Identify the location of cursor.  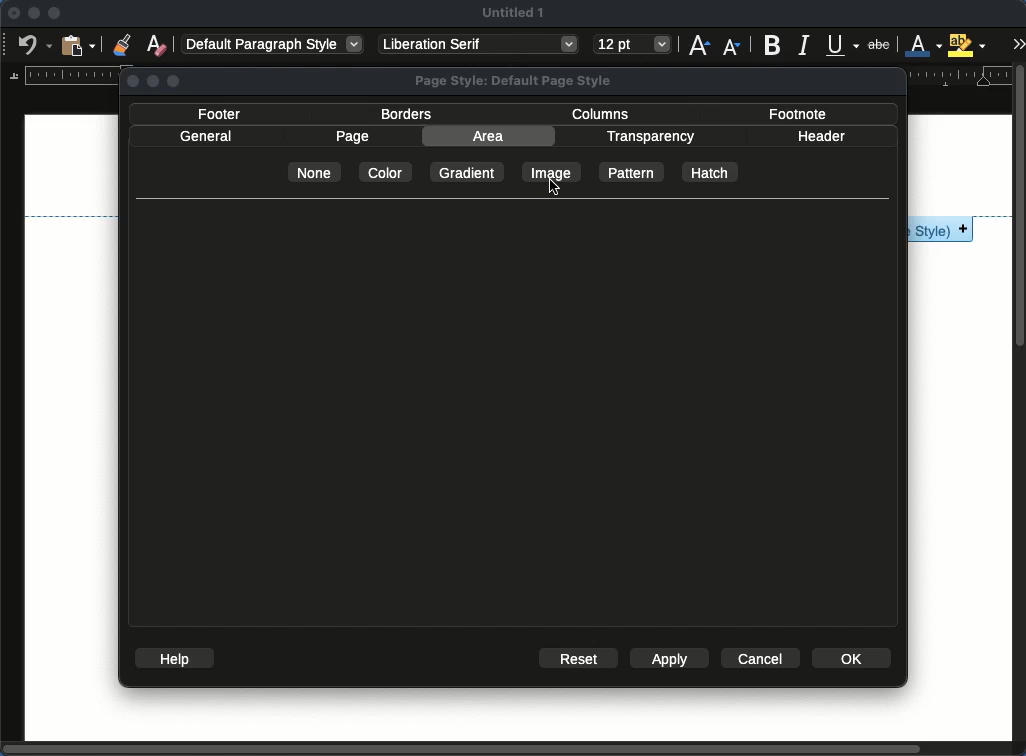
(556, 187).